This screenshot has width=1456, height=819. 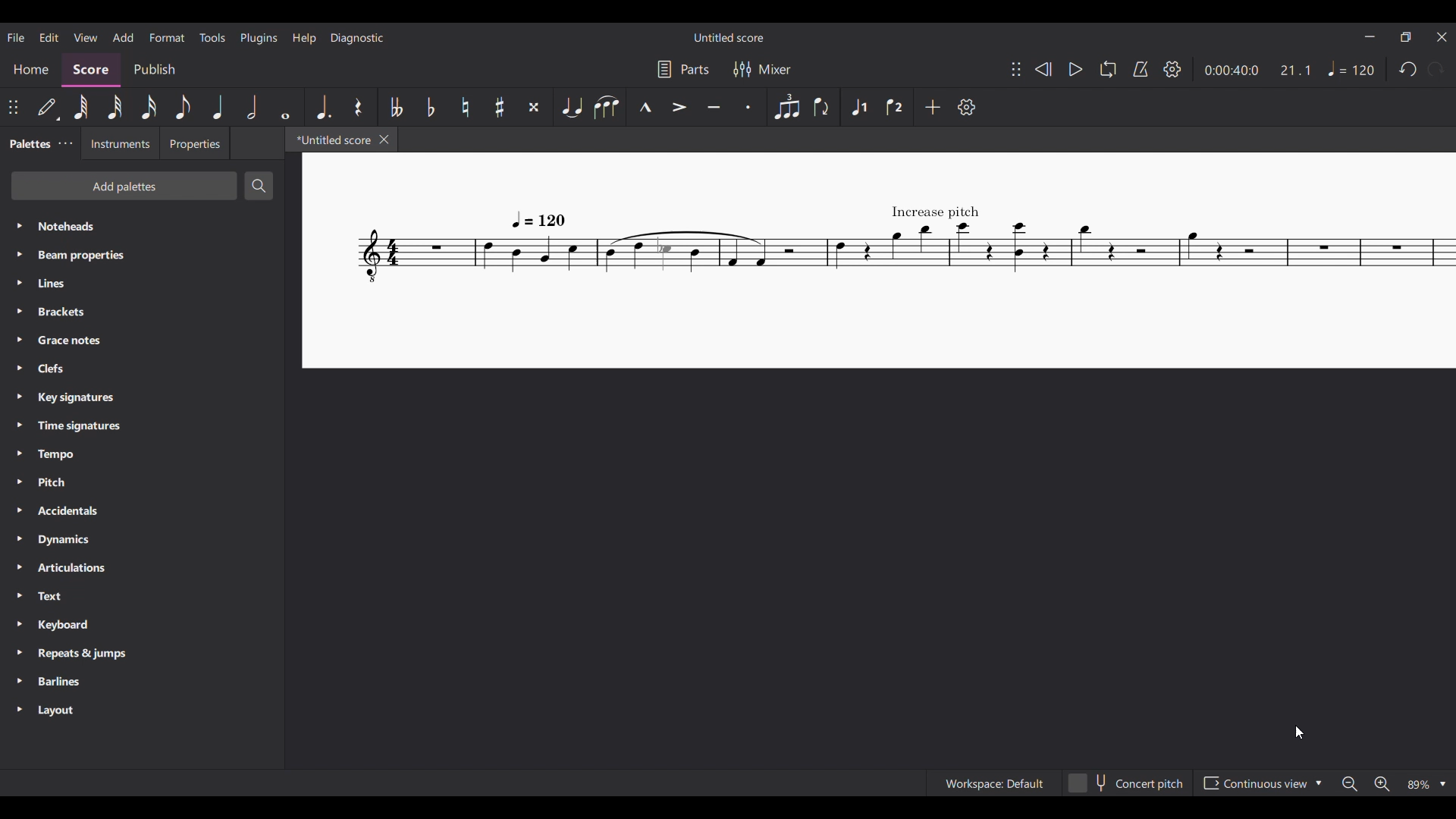 What do you see at coordinates (28, 143) in the screenshot?
I see `Palettes` at bounding box center [28, 143].